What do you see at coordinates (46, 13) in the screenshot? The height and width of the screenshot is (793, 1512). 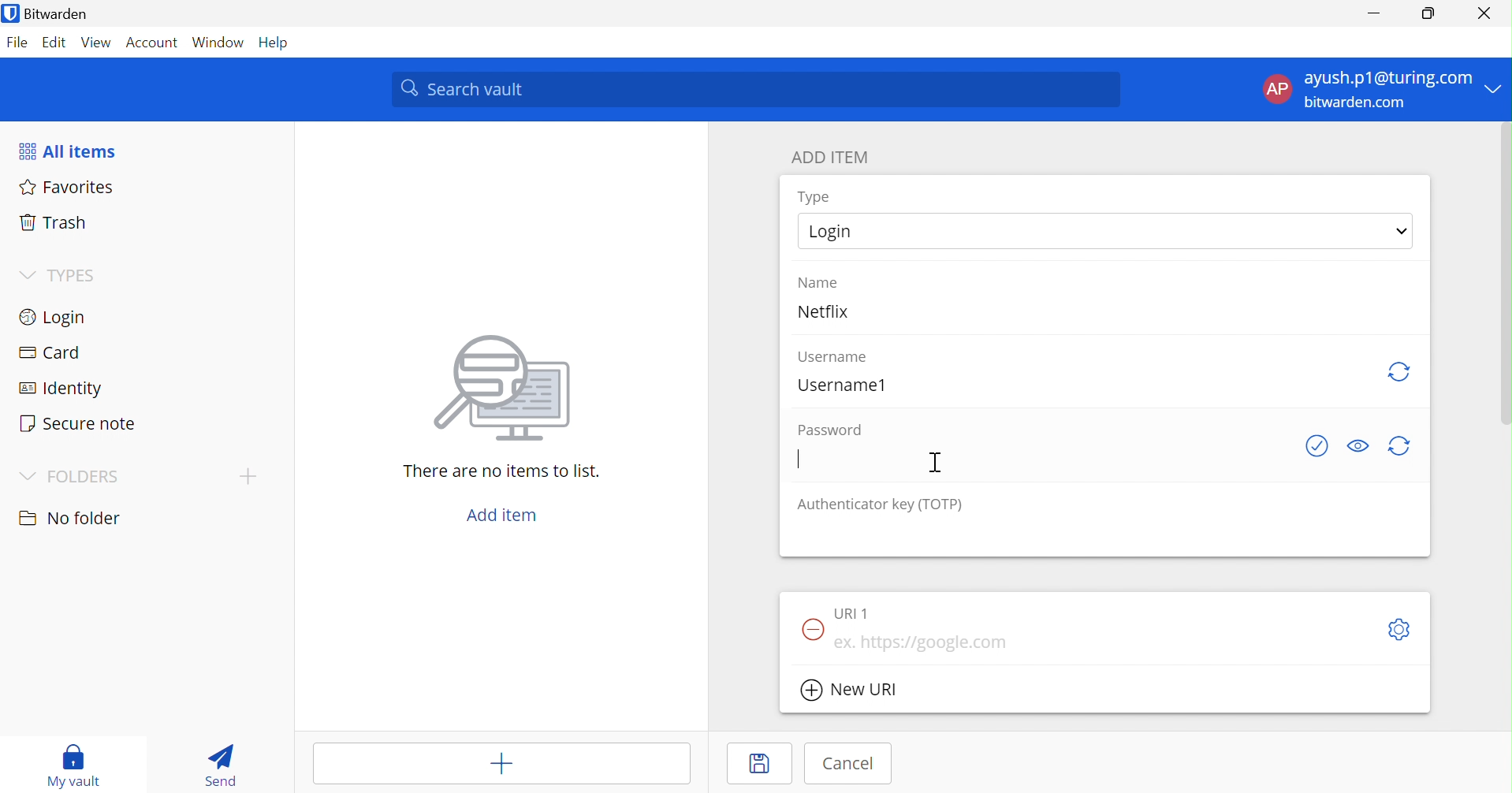 I see `Bitwarden` at bounding box center [46, 13].